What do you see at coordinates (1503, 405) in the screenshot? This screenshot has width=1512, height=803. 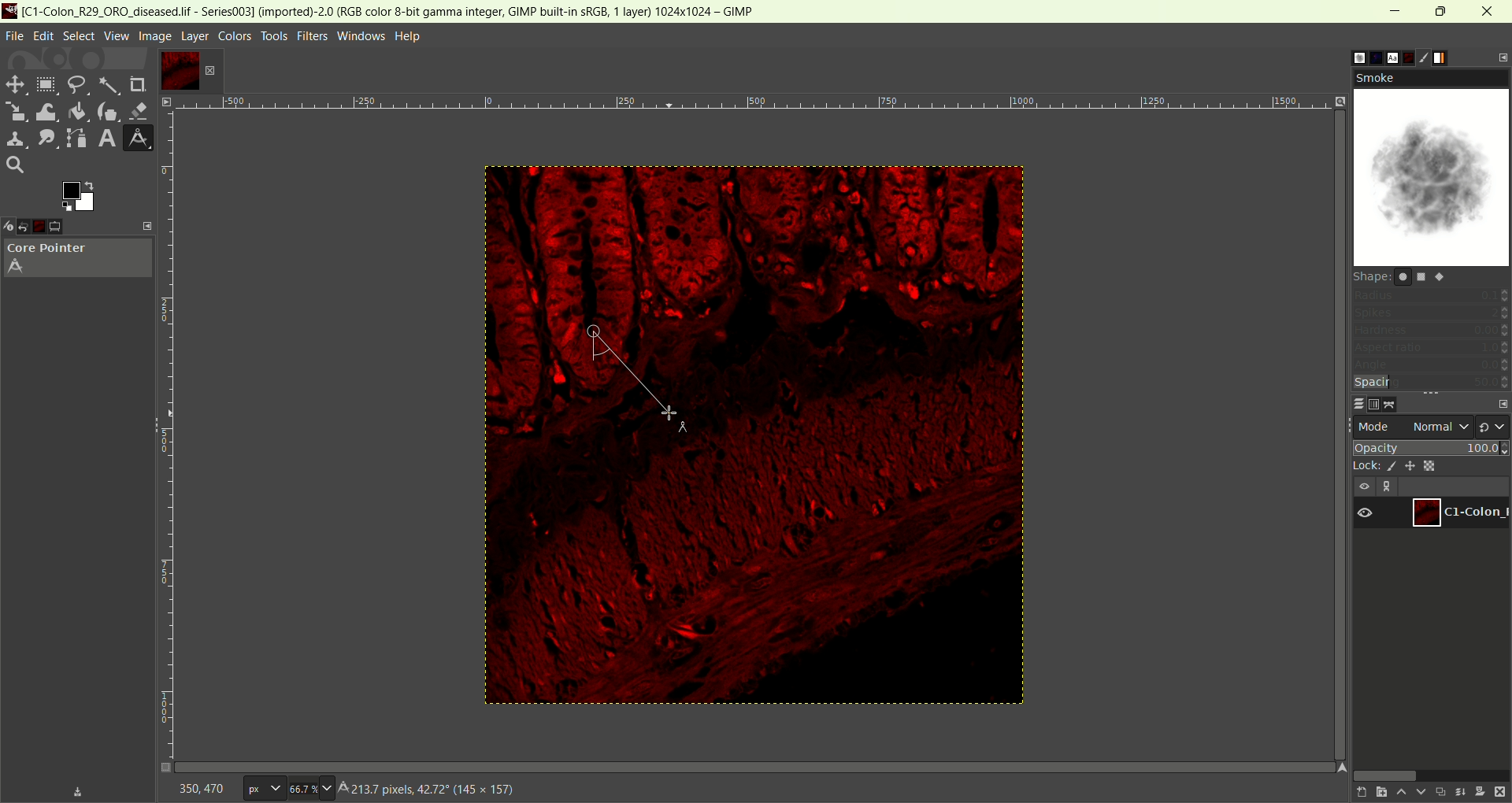 I see `configure this tab` at bounding box center [1503, 405].